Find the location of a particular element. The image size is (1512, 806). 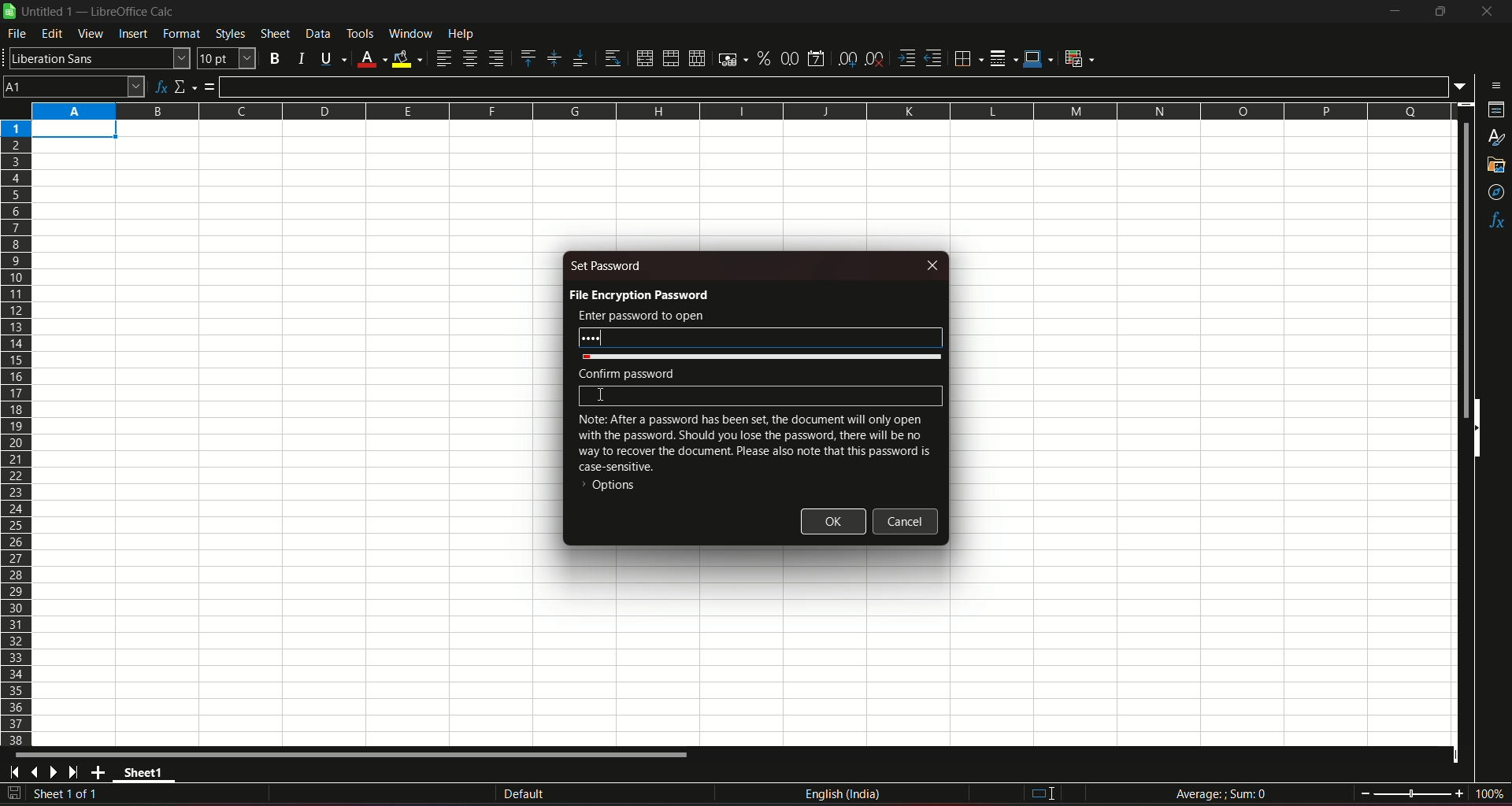

help is located at coordinates (472, 35).